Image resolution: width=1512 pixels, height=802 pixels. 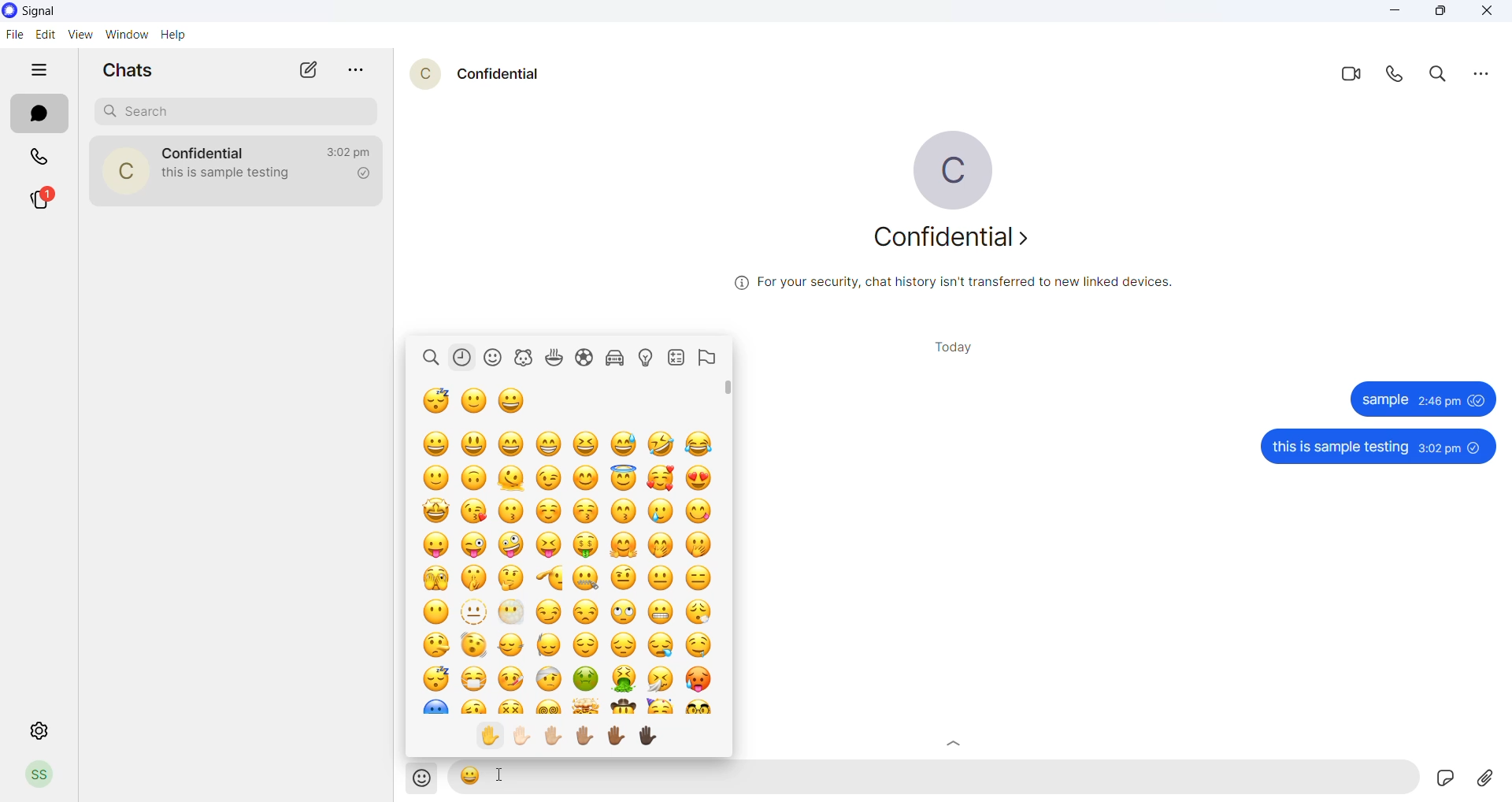 What do you see at coordinates (952, 284) in the screenshot?
I see `security related text` at bounding box center [952, 284].